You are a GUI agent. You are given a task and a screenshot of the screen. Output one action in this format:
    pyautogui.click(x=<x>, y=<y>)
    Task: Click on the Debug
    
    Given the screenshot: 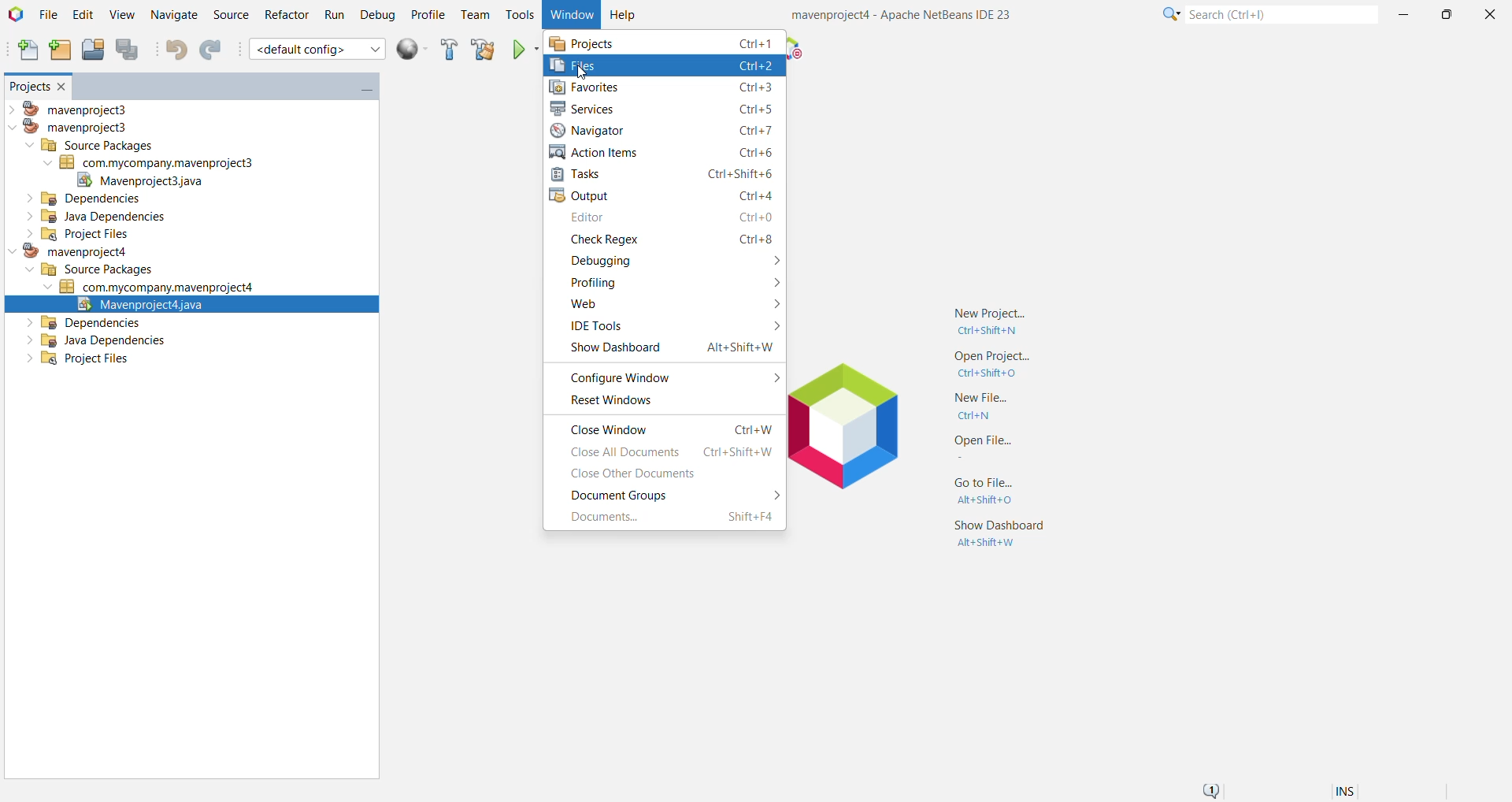 What is the action you would take?
    pyautogui.click(x=377, y=16)
    